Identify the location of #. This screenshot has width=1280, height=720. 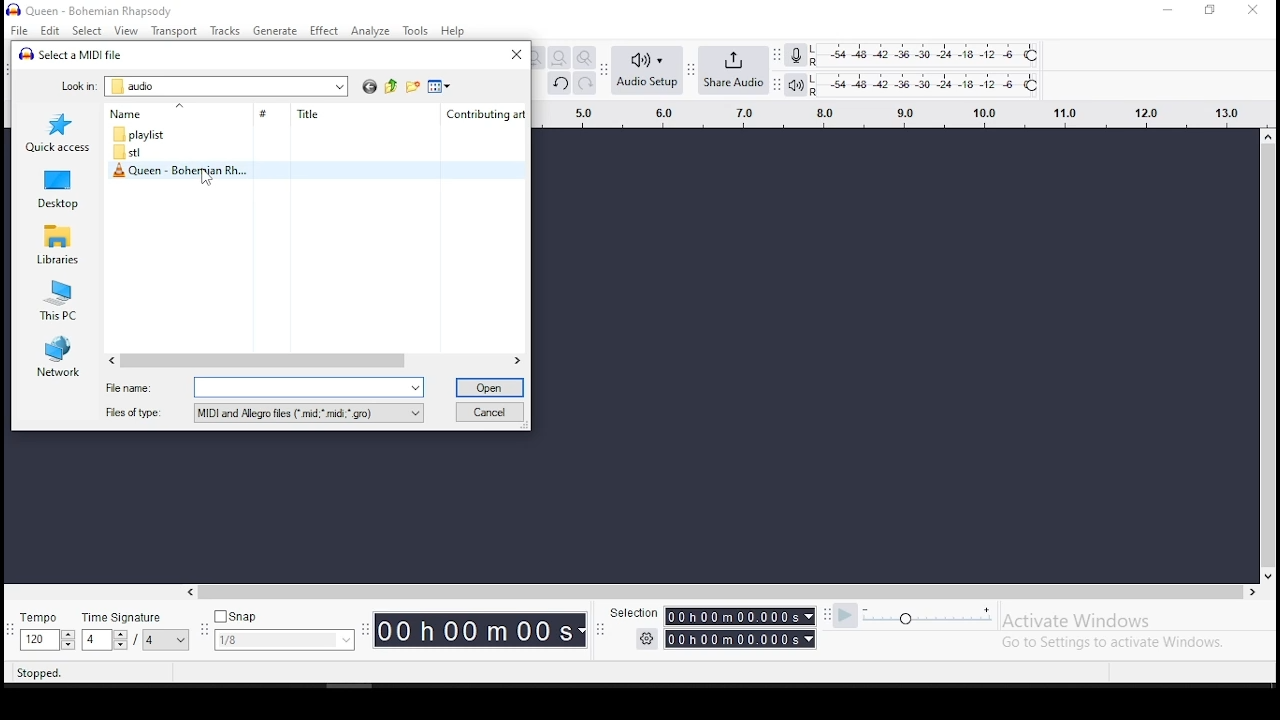
(263, 111).